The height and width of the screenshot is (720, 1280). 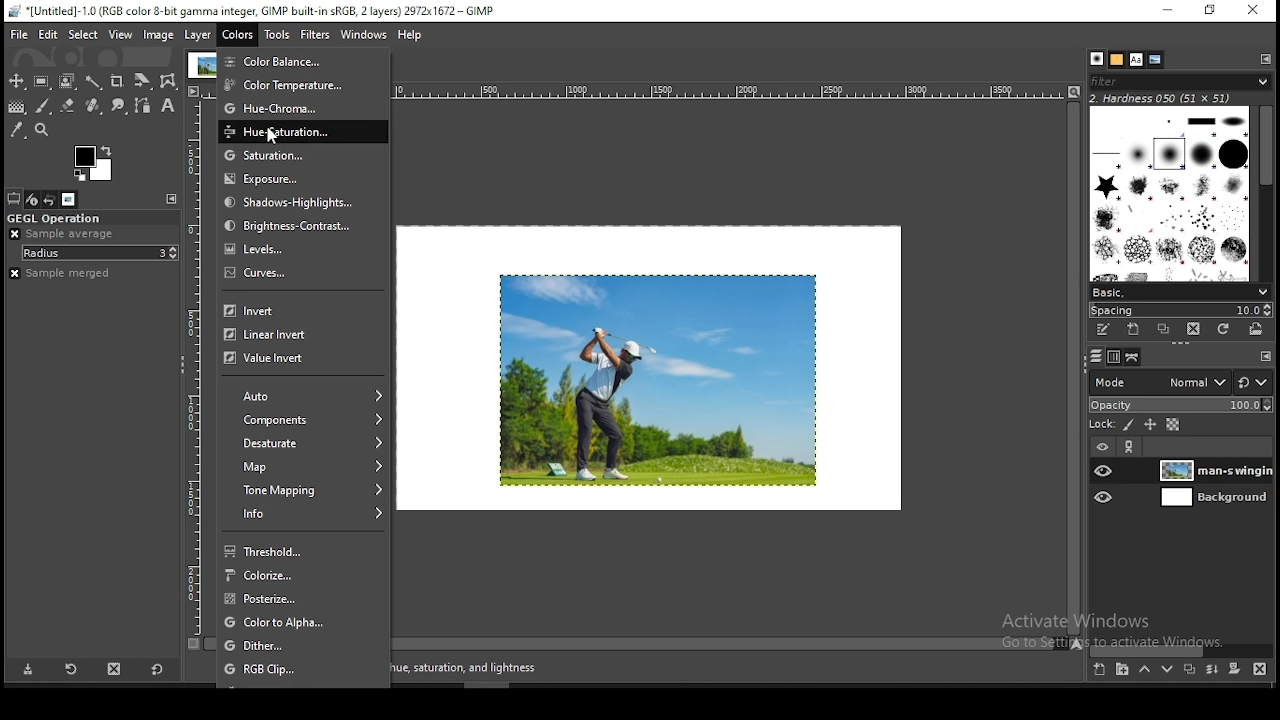 I want to click on close window, so click(x=1255, y=11).